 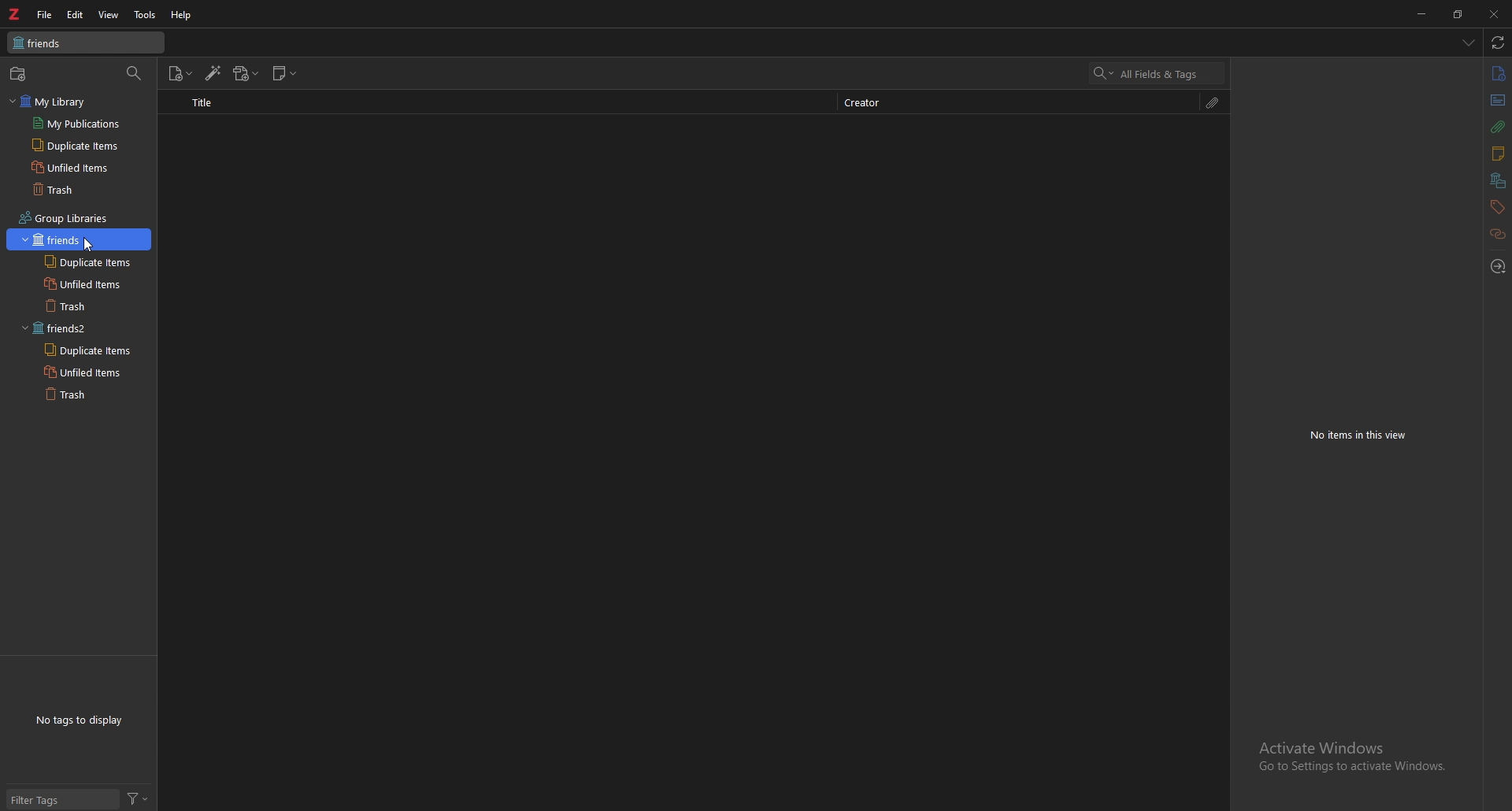 What do you see at coordinates (1496, 208) in the screenshot?
I see `tags` at bounding box center [1496, 208].